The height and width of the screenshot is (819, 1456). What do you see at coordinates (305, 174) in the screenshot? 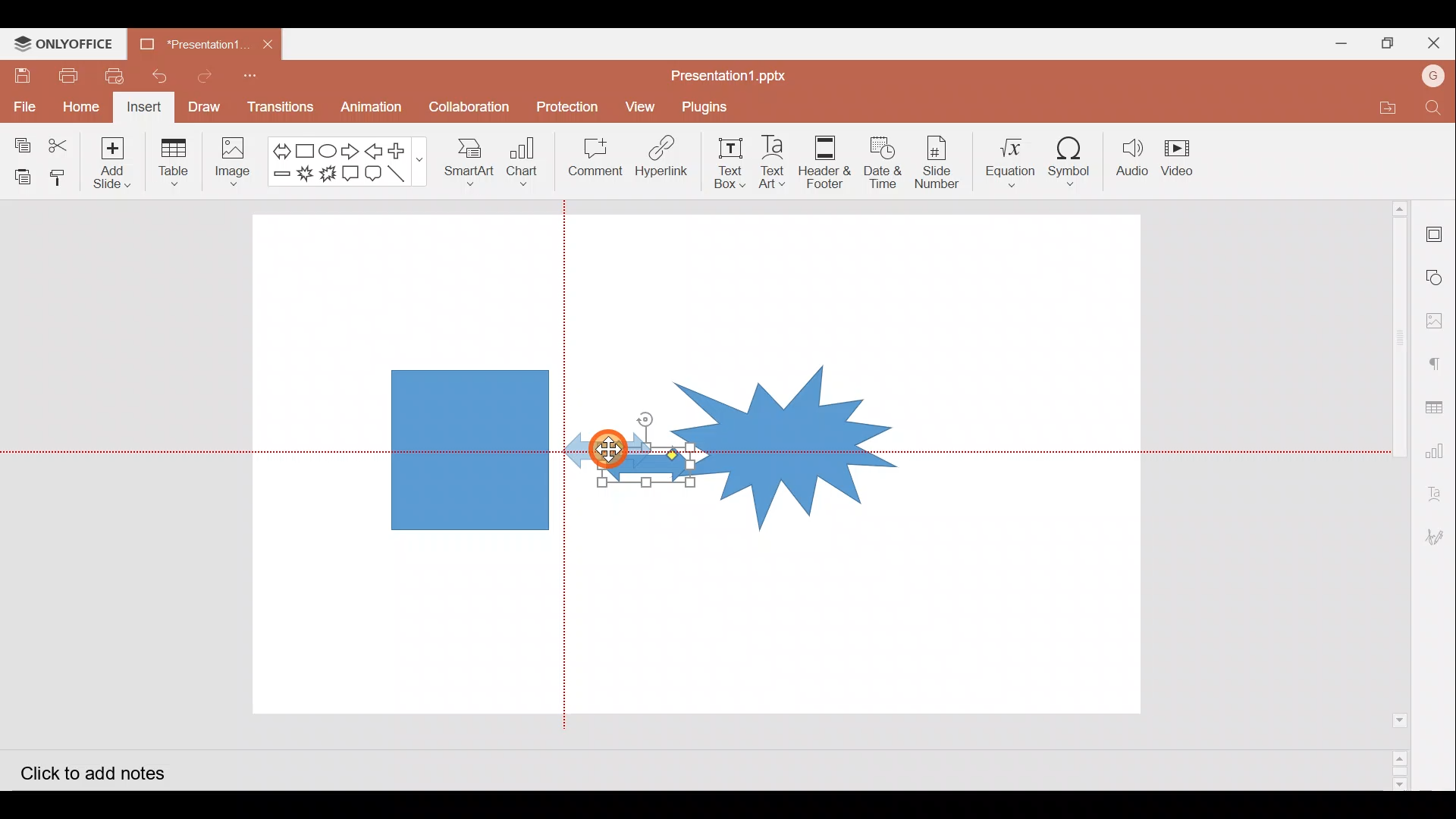
I see `Explosion 1` at bounding box center [305, 174].